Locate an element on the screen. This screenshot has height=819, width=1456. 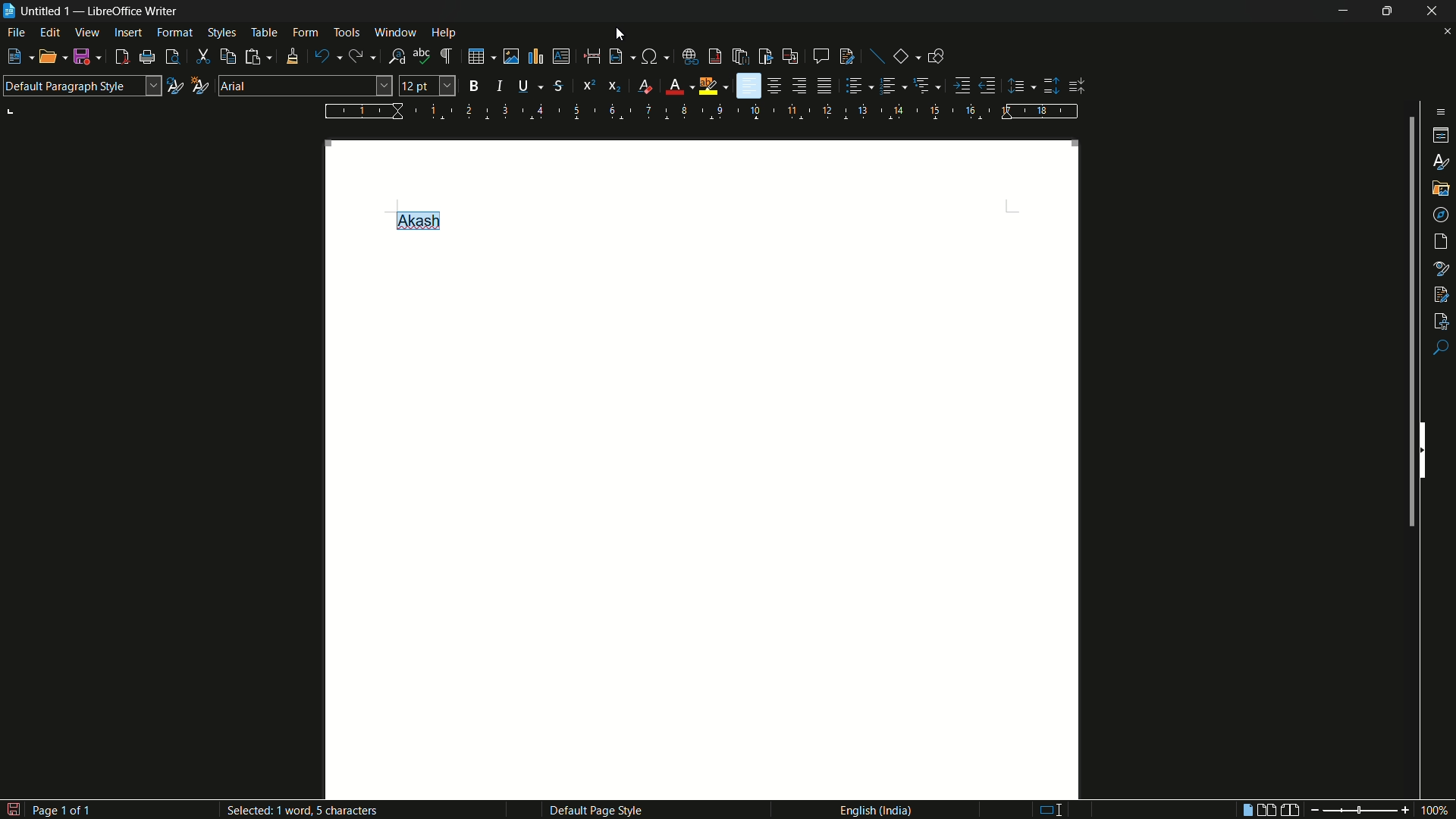
open file is located at coordinates (48, 57).